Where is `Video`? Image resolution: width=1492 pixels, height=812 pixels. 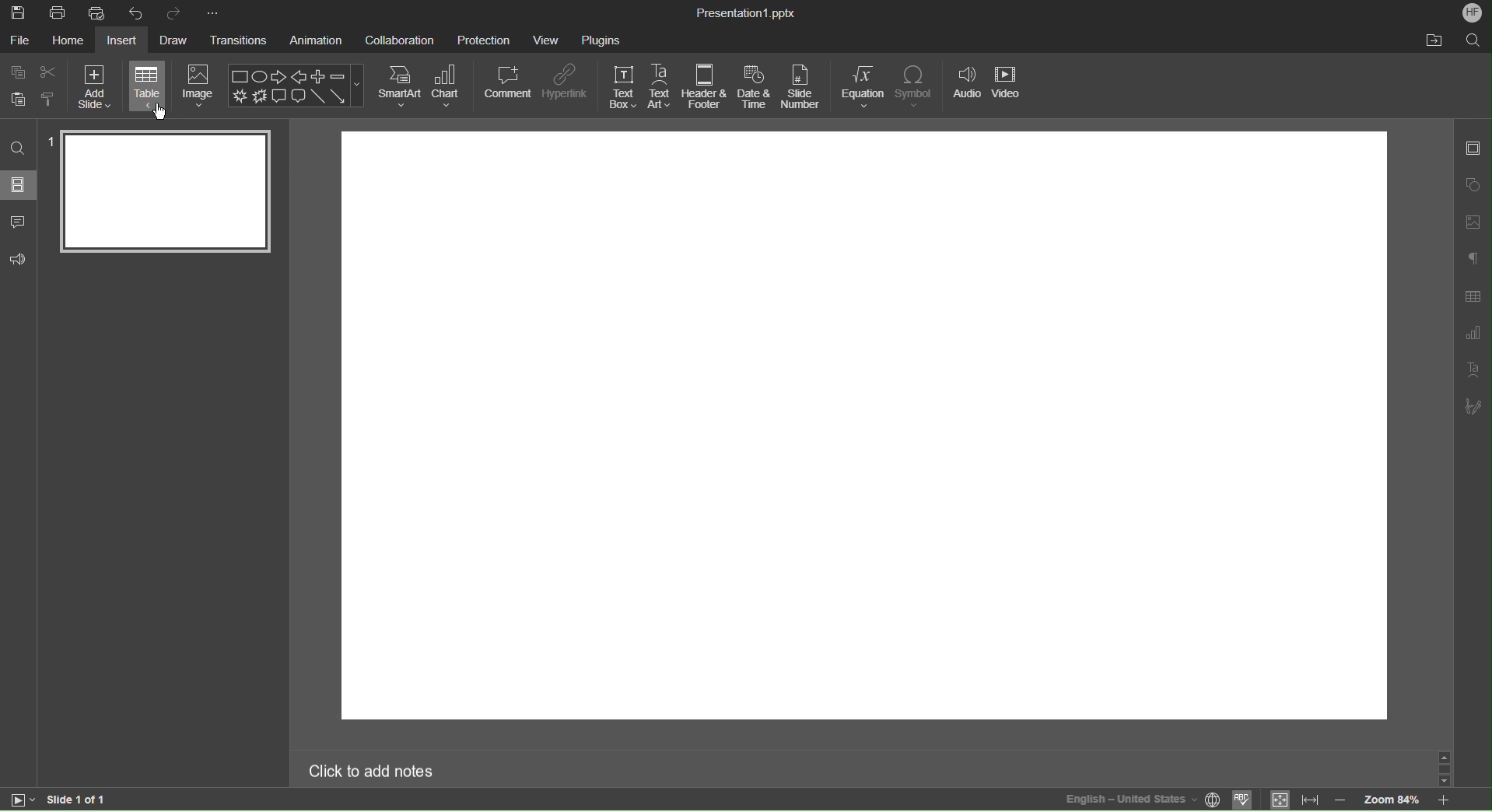
Video is located at coordinates (1007, 86).